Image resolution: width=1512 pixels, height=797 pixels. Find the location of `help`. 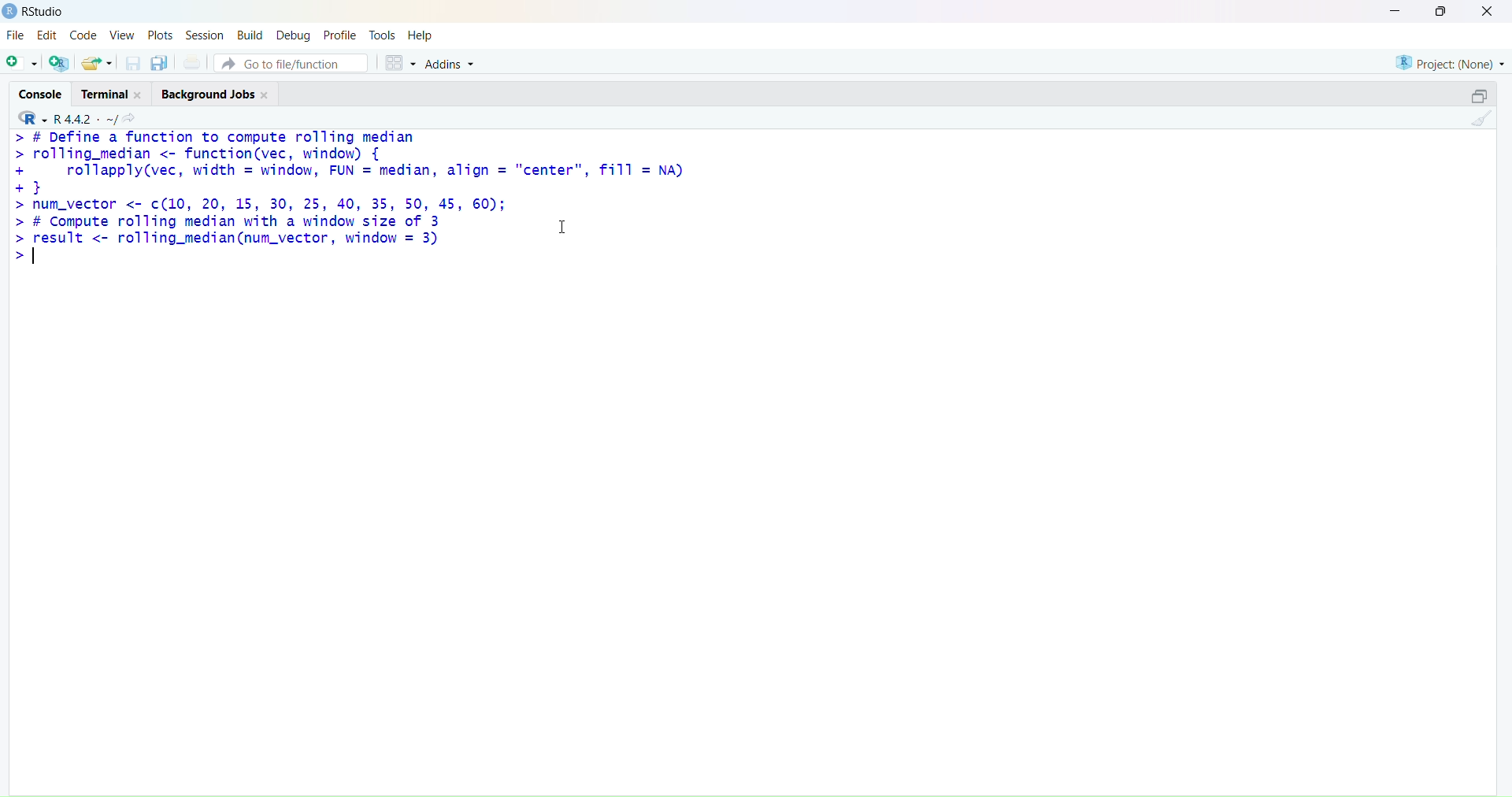

help is located at coordinates (422, 36).